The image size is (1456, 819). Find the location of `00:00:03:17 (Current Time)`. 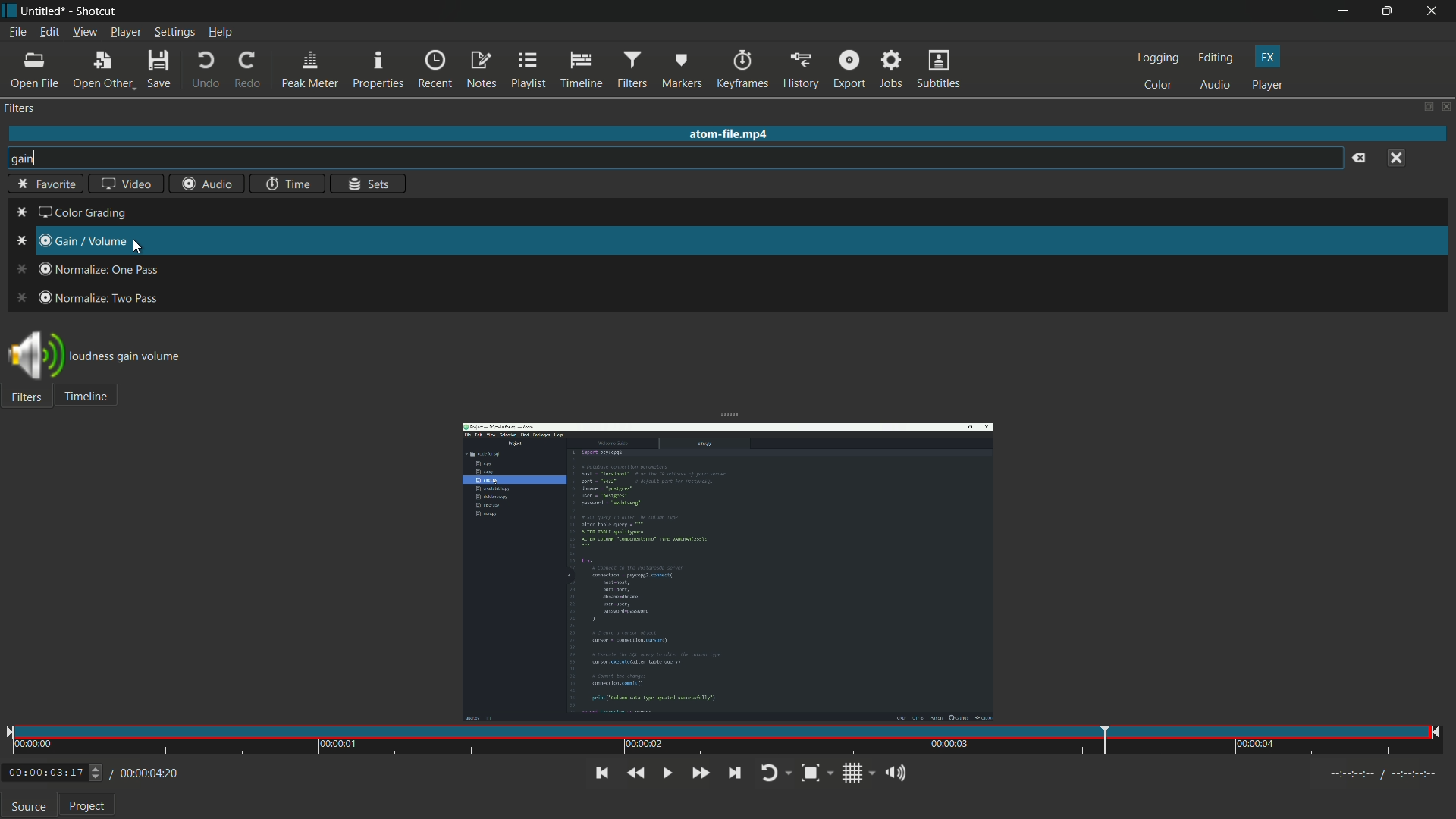

00:00:03:17 (Current Time) is located at coordinates (55, 773).